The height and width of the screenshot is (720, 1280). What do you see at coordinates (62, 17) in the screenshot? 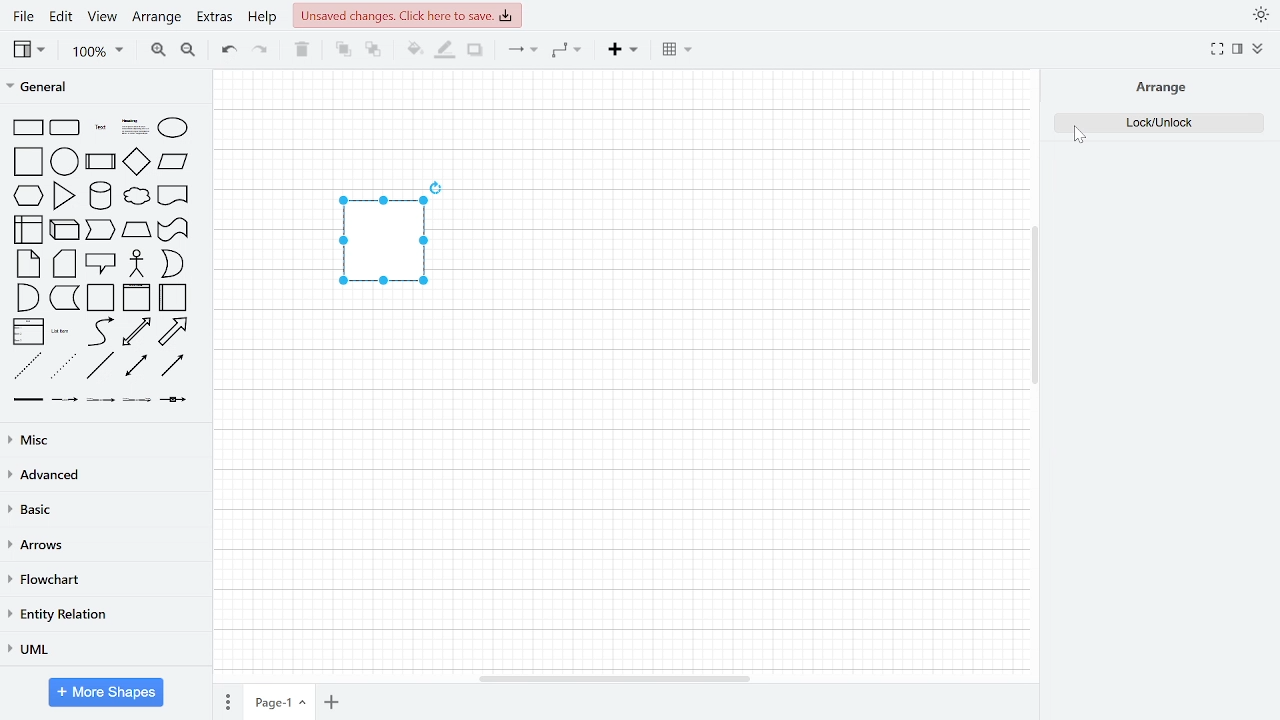
I see `edit` at bounding box center [62, 17].